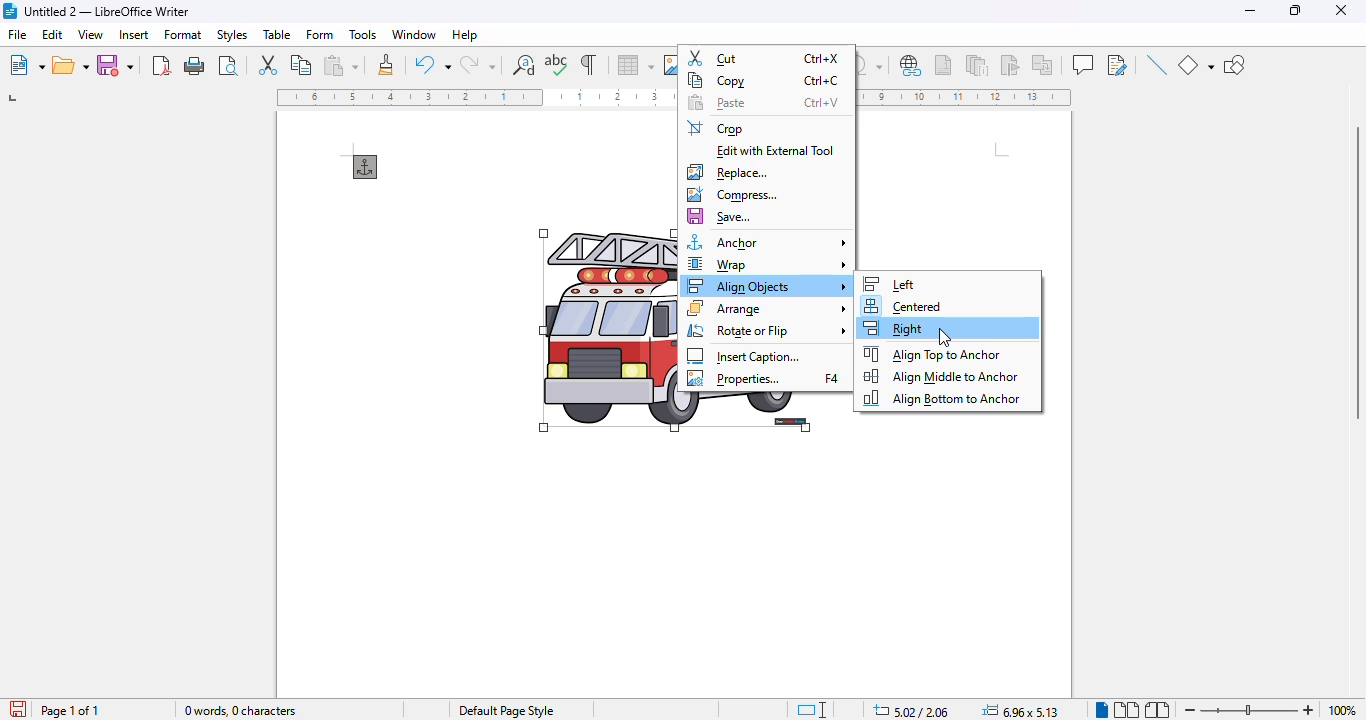  What do you see at coordinates (478, 65) in the screenshot?
I see `redo` at bounding box center [478, 65].